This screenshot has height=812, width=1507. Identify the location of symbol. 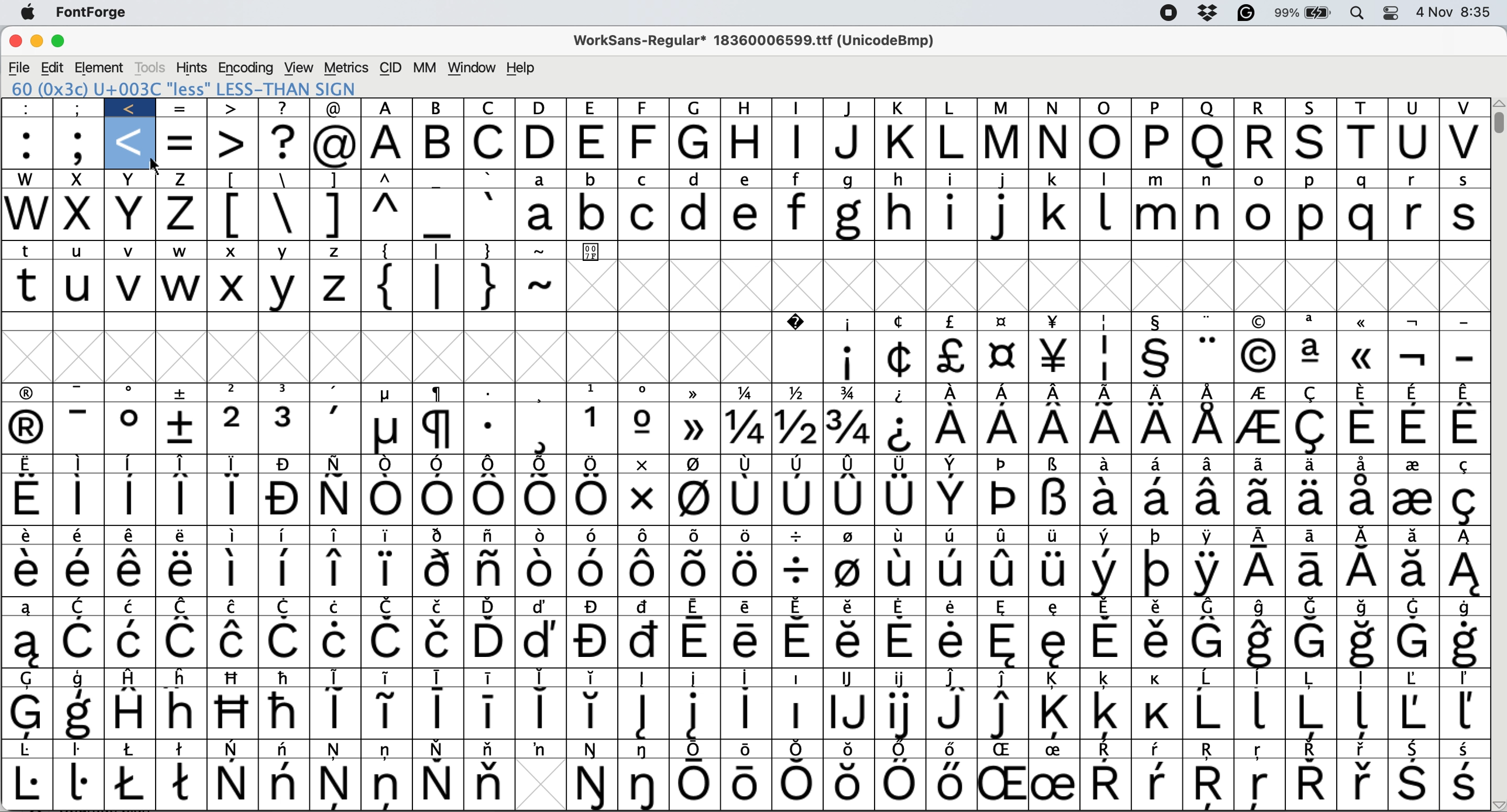
(645, 642).